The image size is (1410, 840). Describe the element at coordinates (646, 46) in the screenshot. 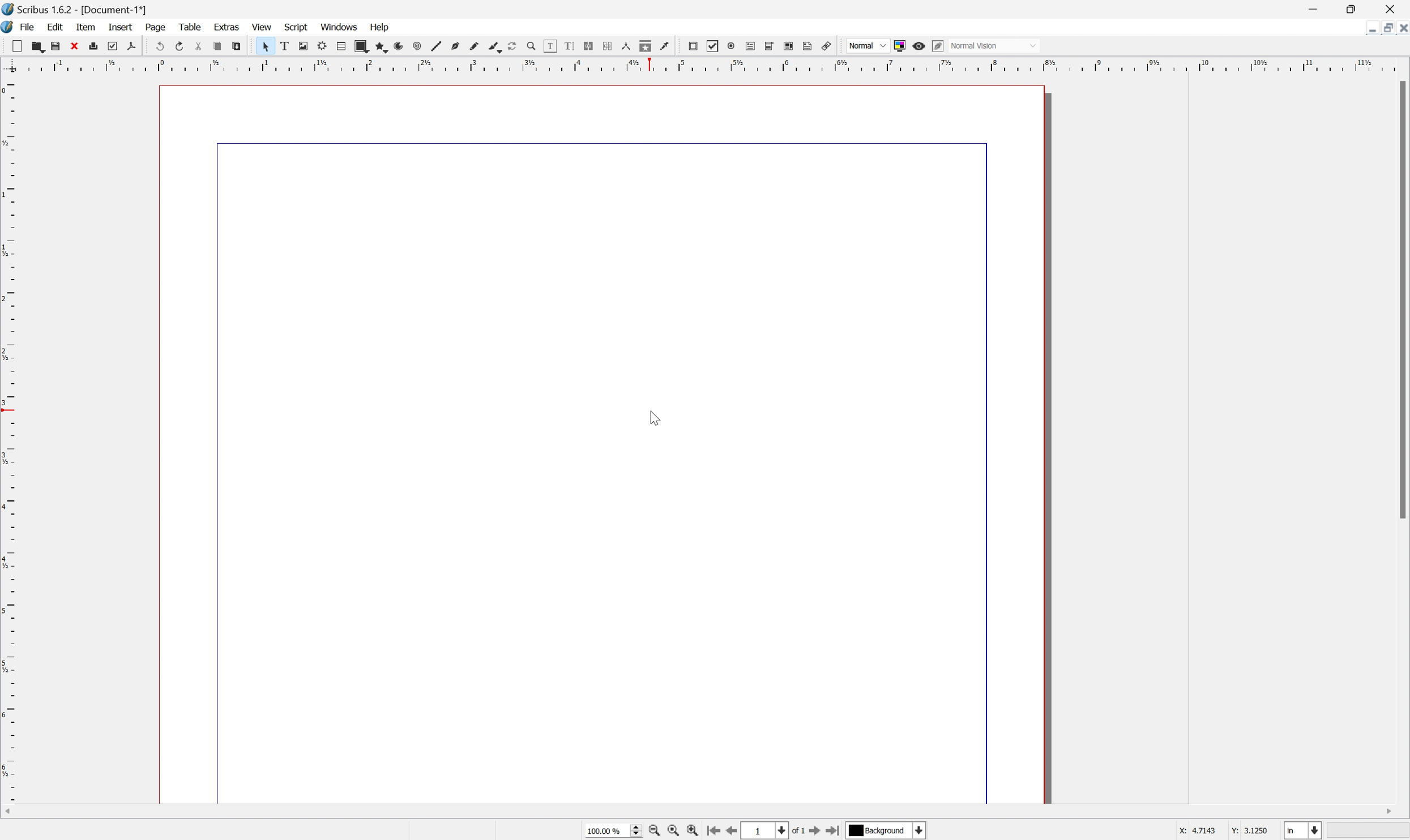

I see `copy item properties` at that location.